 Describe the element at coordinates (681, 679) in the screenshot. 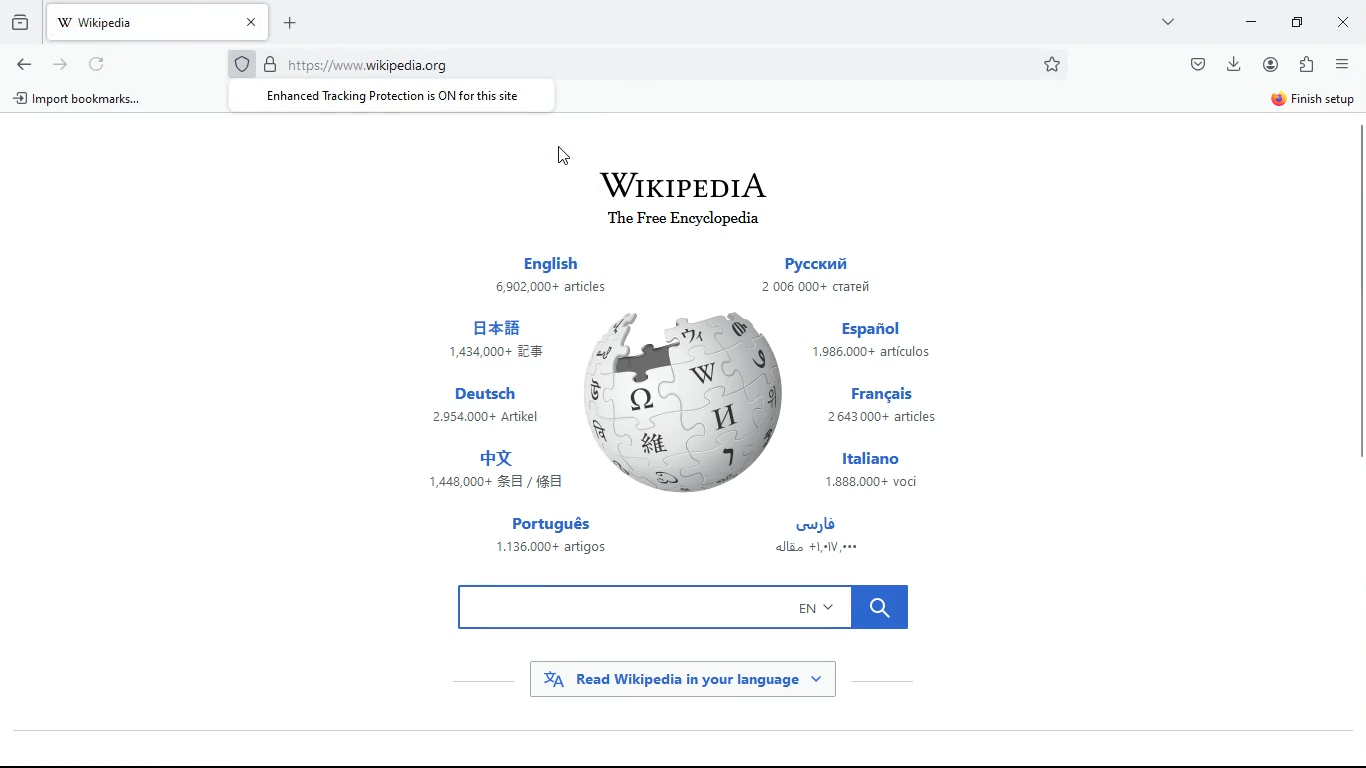

I see `read wikipedia in your language` at that location.